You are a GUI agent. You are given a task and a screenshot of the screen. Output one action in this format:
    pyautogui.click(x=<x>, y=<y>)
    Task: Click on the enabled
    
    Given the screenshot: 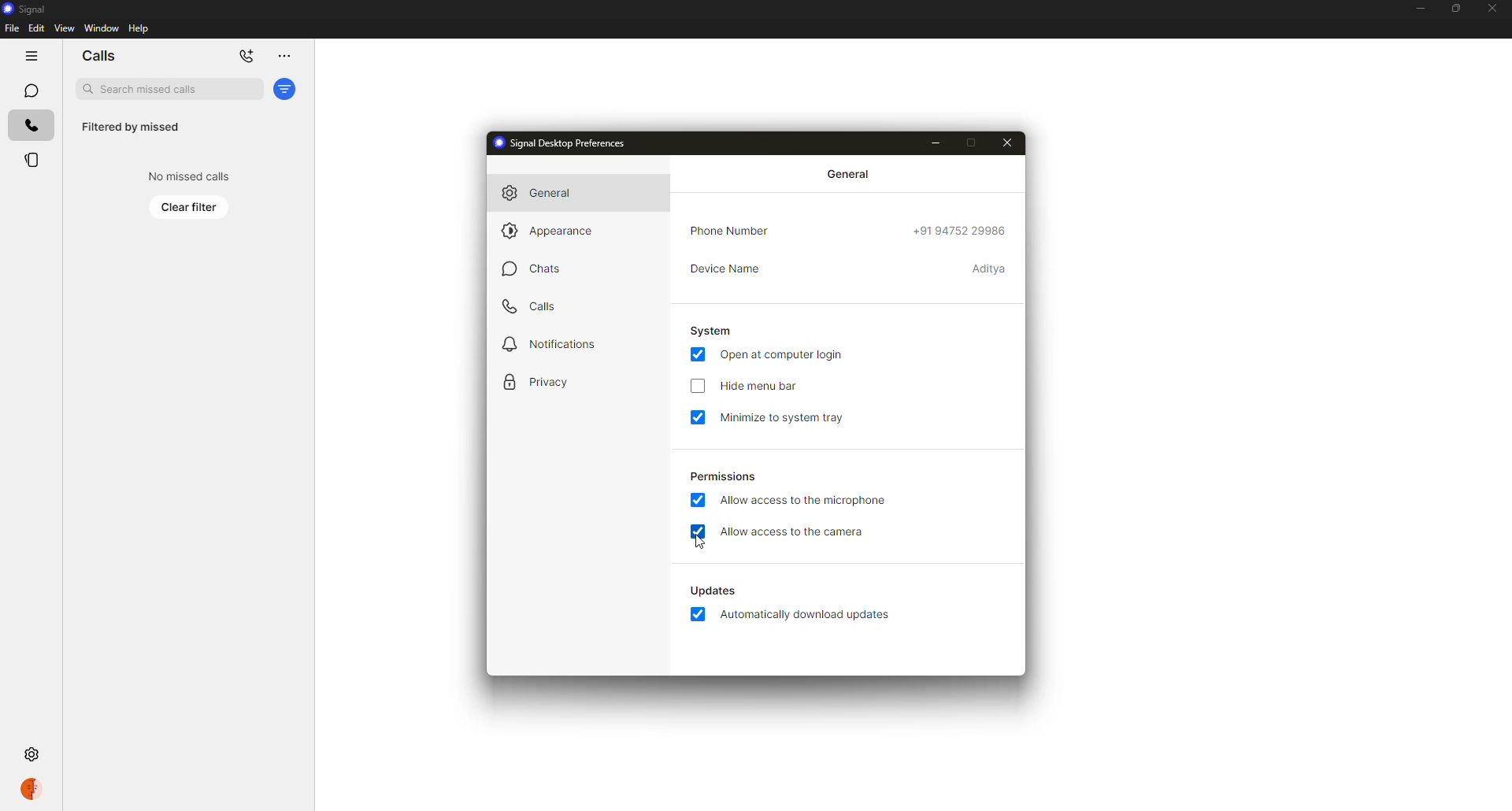 What is the action you would take?
    pyautogui.click(x=696, y=354)
    